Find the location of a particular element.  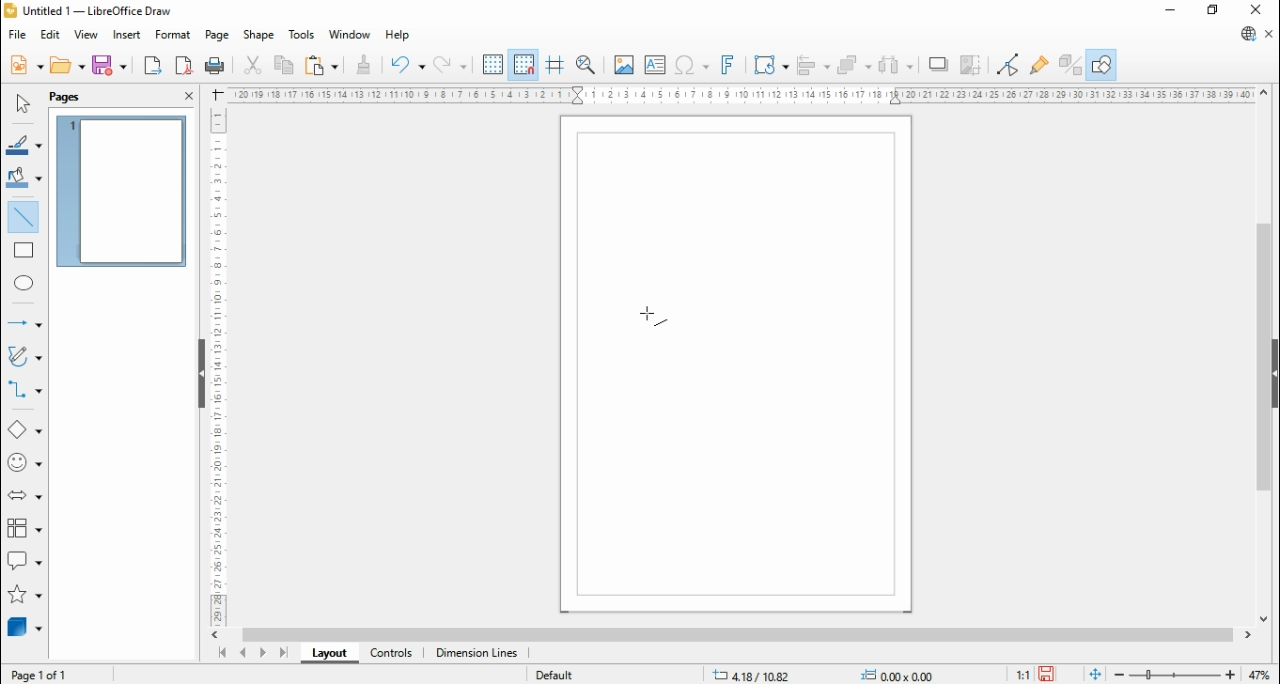

previous page is located at coordinates (242, 653).